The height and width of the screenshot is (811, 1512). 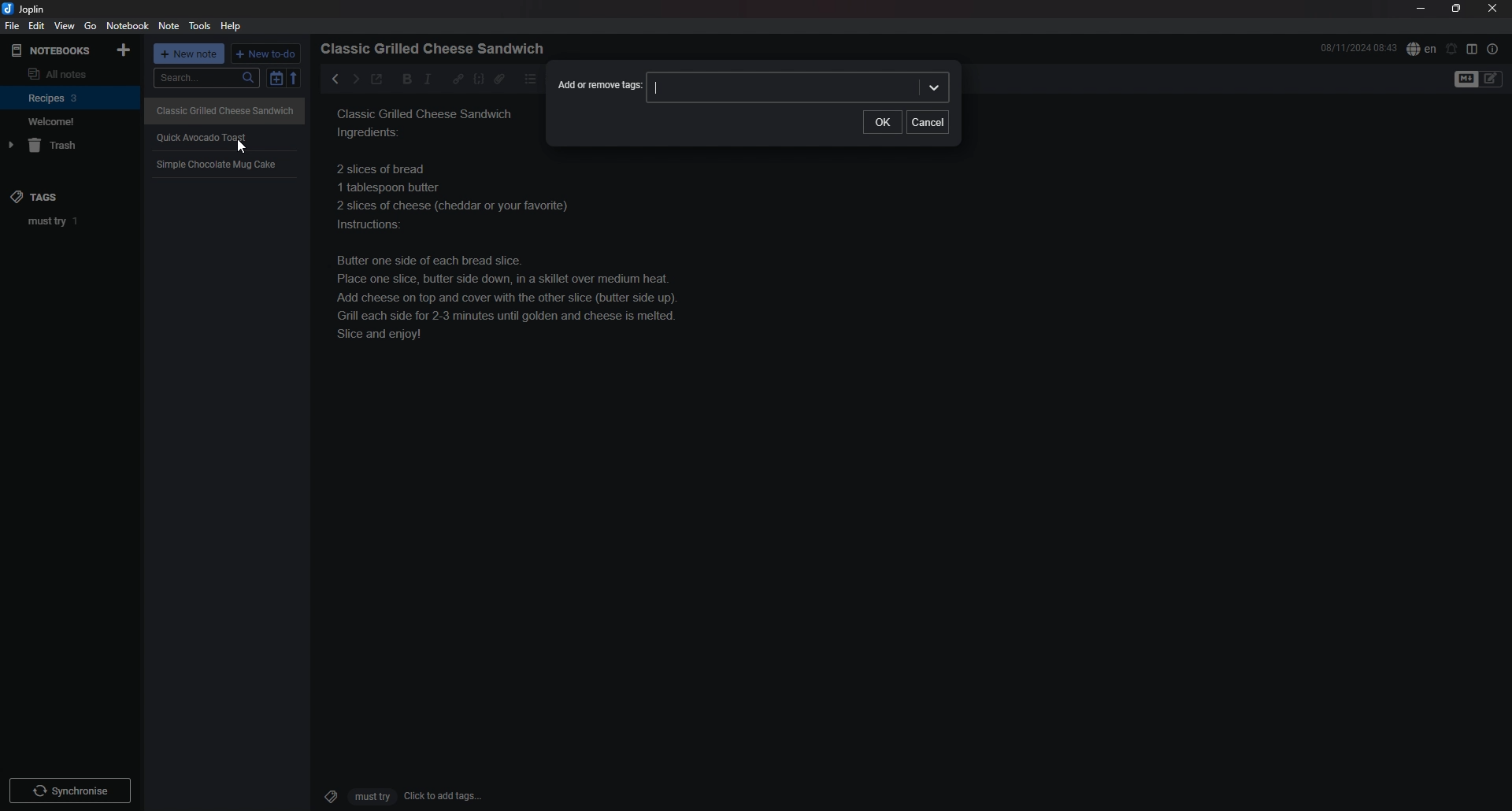 What do you see at coordinates (478, 79) in the screenshot?
I see `code` at bounding box center [478, 79].